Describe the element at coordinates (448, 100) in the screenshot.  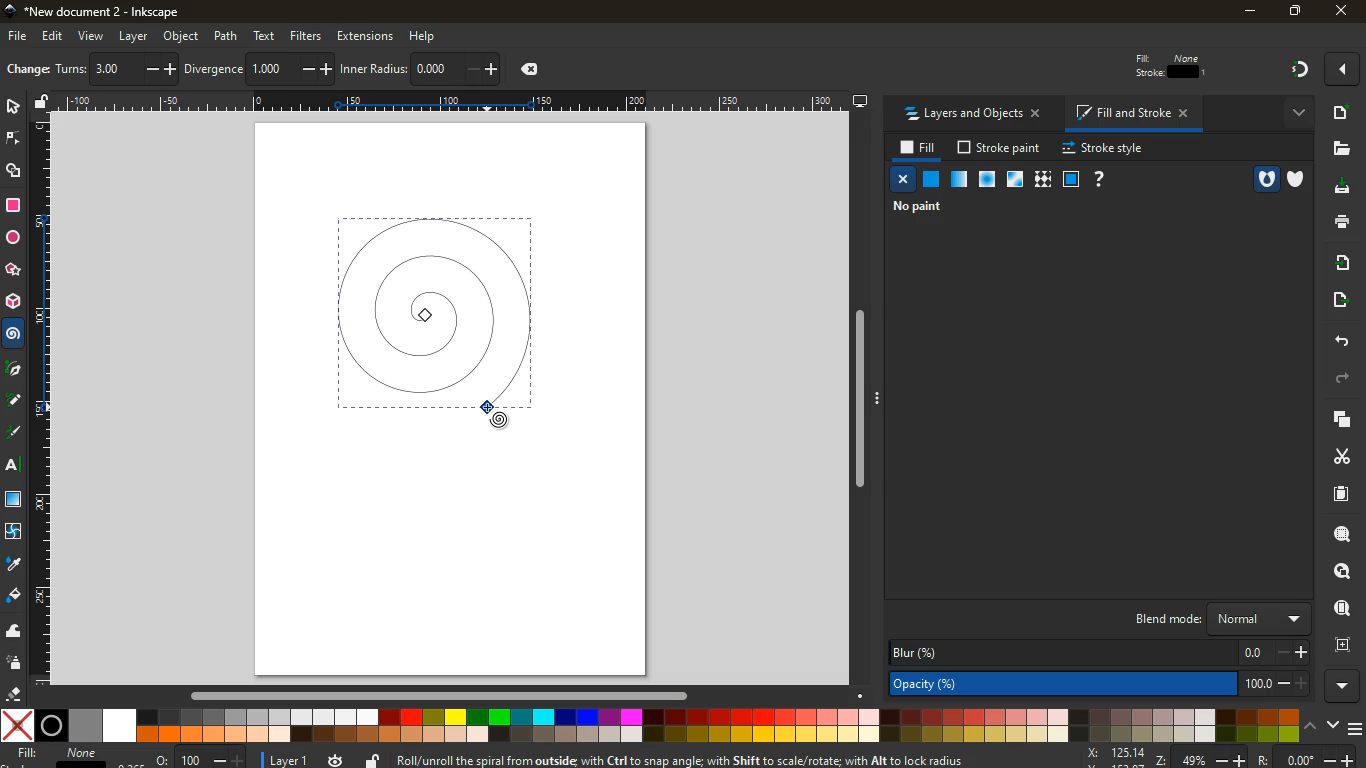
I see `spiral size` at that location.